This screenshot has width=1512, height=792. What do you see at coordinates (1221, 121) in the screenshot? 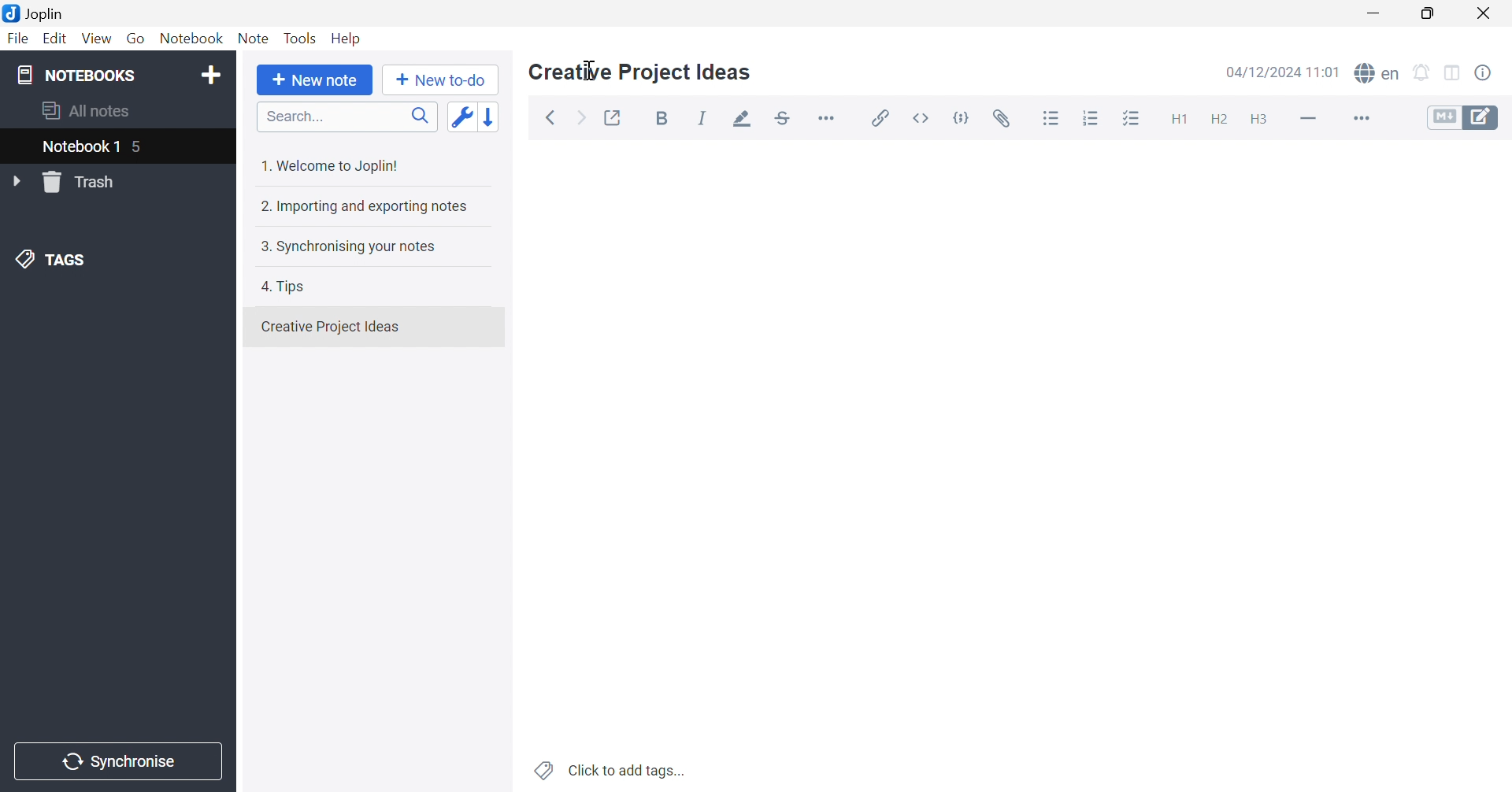
I see `Heading 2` at bounding box center [1221, 121].